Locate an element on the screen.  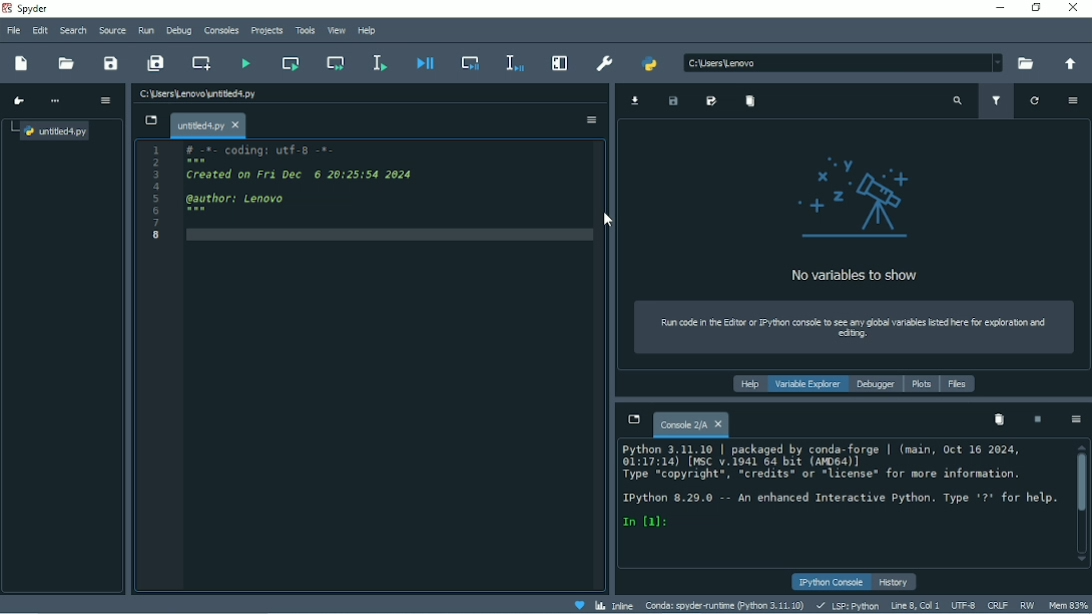
Change to parent directory is located at coordinates (1070, 64).